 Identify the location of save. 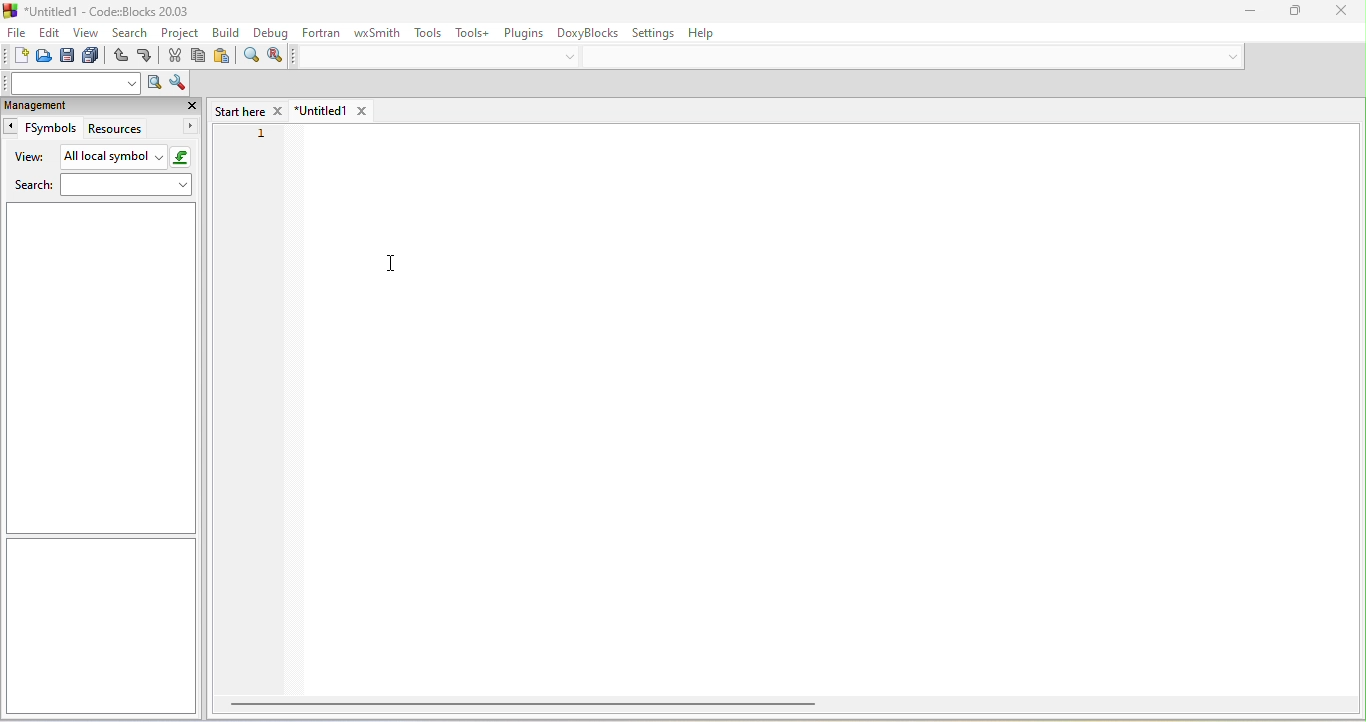
(68, 56).